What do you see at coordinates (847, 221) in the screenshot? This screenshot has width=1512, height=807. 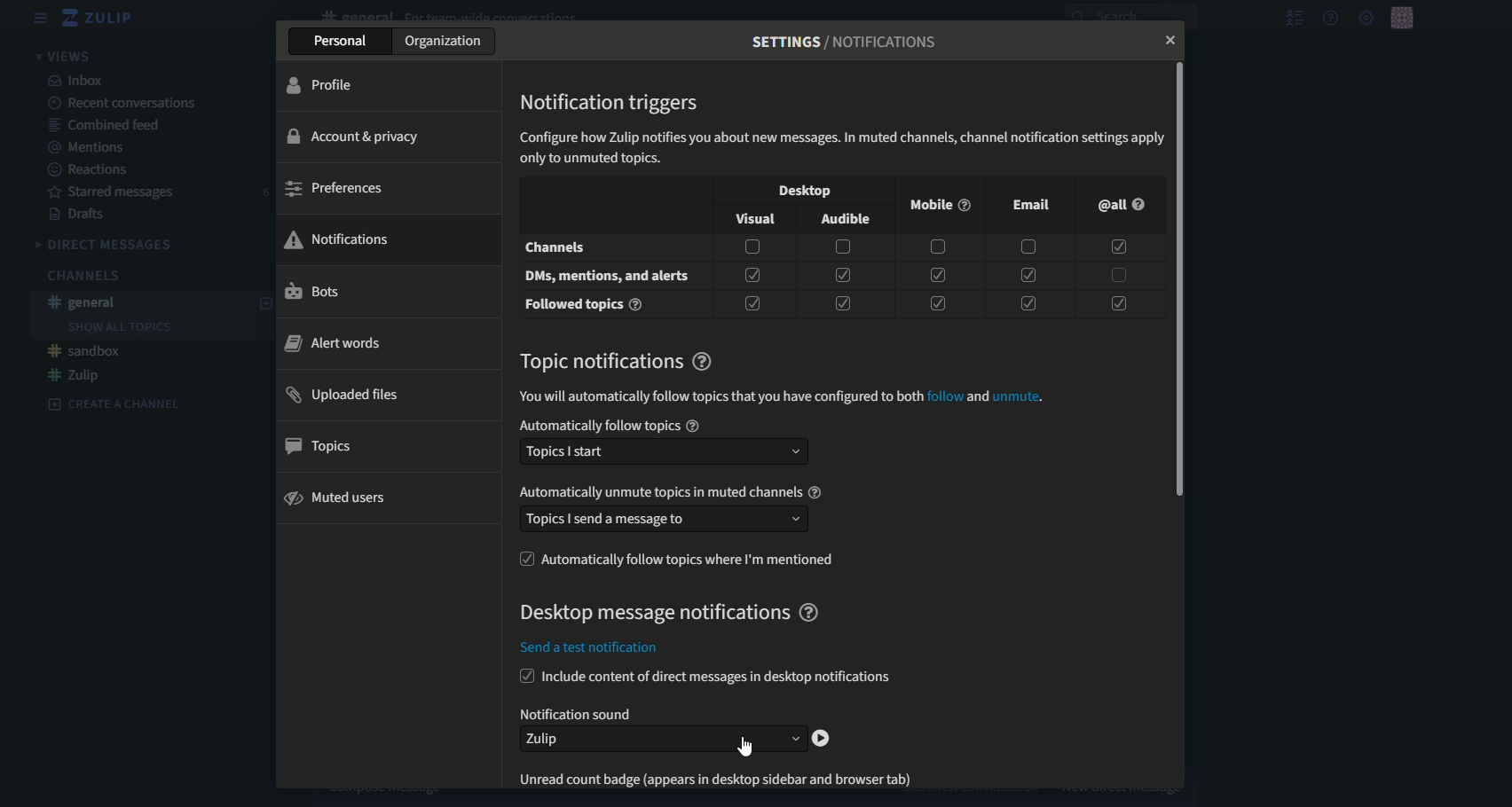 I see `audible` at bounding box center [847, 221].